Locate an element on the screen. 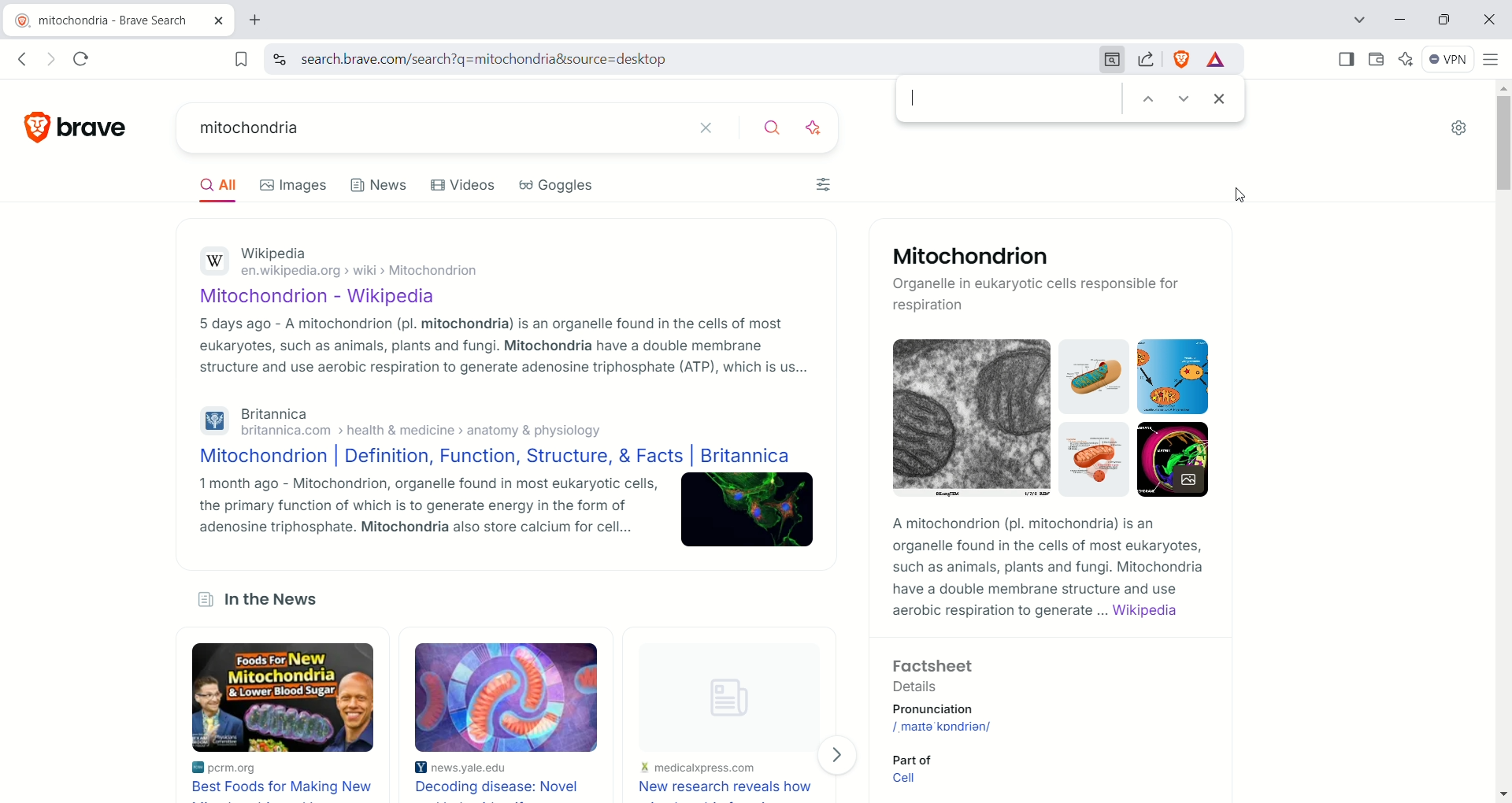 The image size is (1512, 803). Wikipedia is located at coordinates (1165, 611).